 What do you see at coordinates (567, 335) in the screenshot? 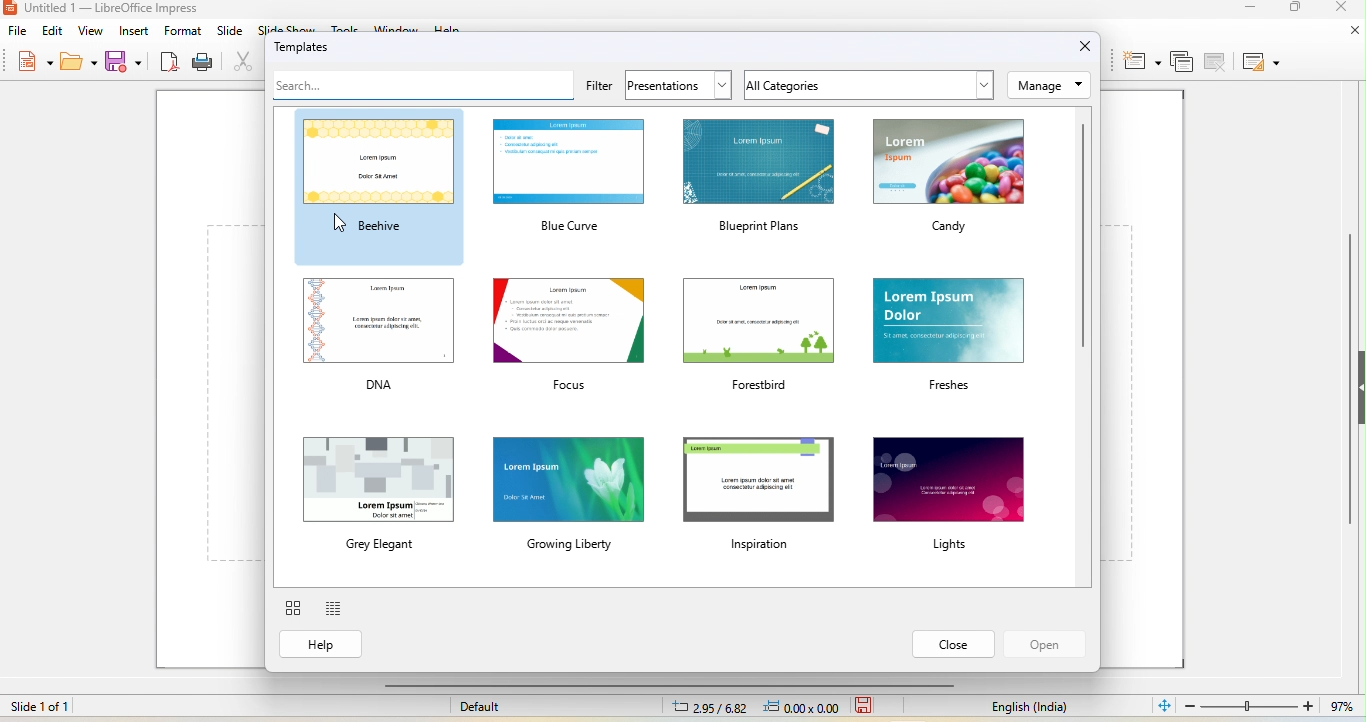
I see `focus` at bounding box center [567, 335].